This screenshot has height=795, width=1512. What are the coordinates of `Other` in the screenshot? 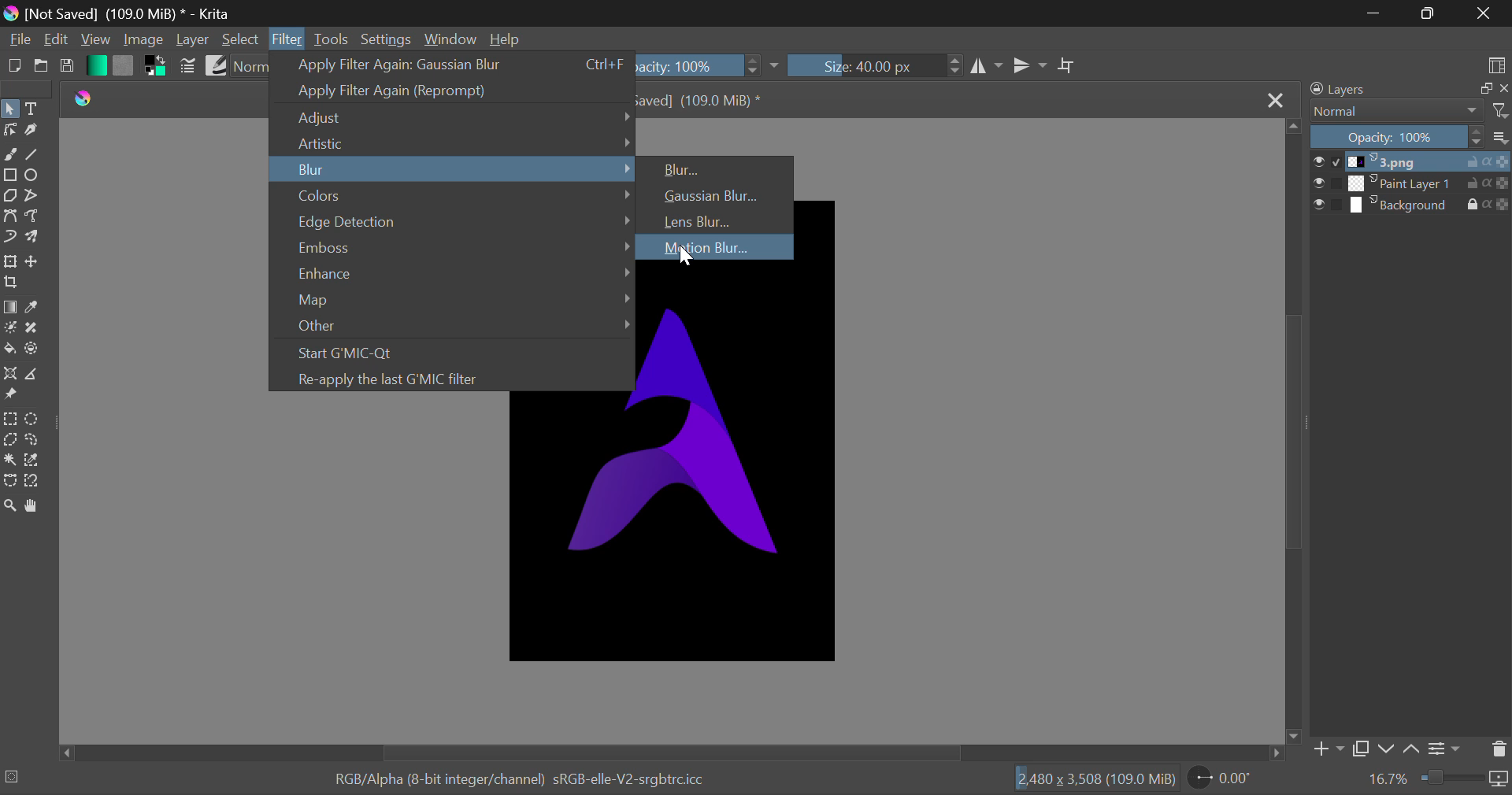 It's located at (452, 327).